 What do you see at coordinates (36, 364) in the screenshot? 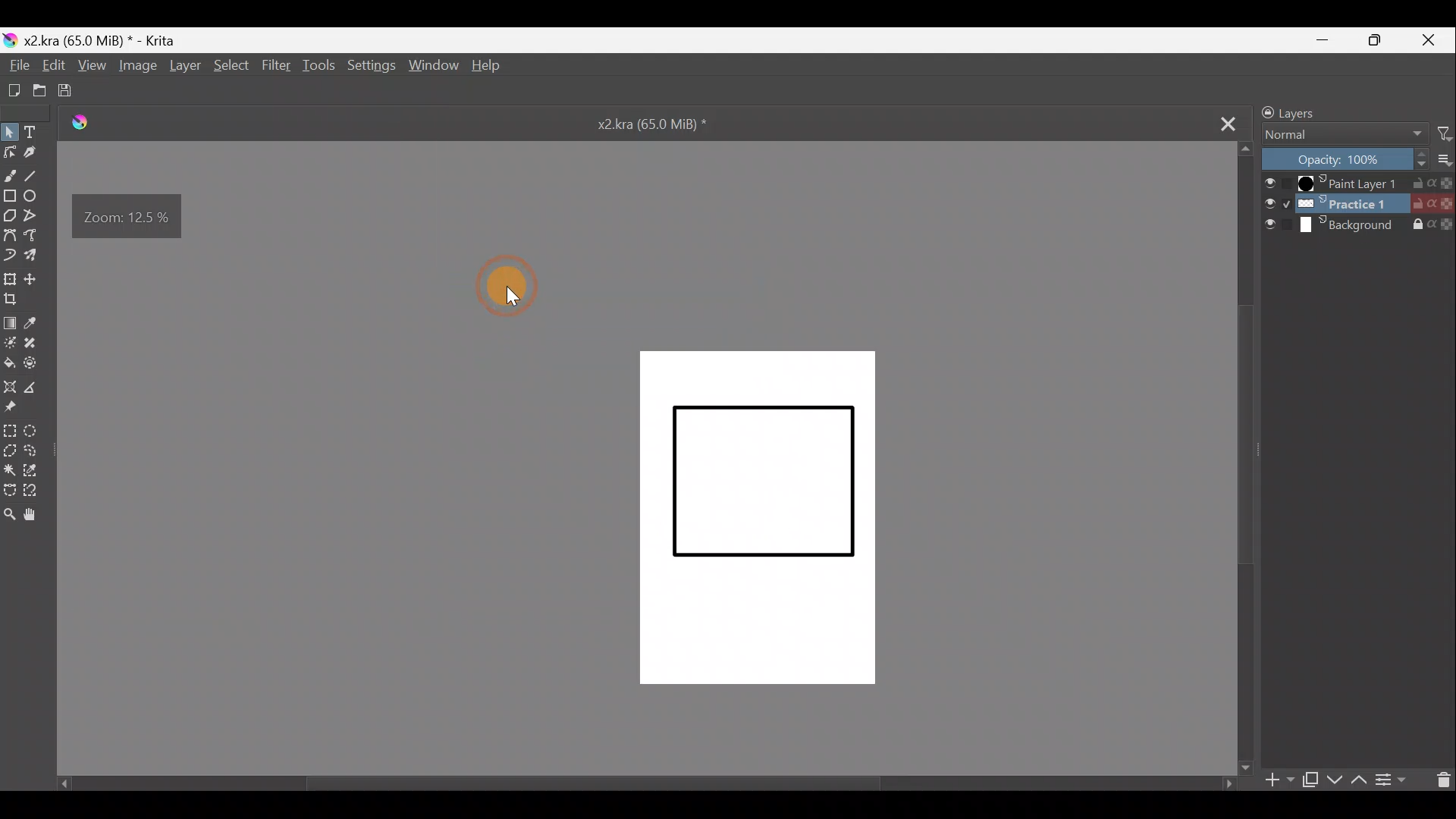
I see `Enclose & fill tool` at bounding box center [36, 364].